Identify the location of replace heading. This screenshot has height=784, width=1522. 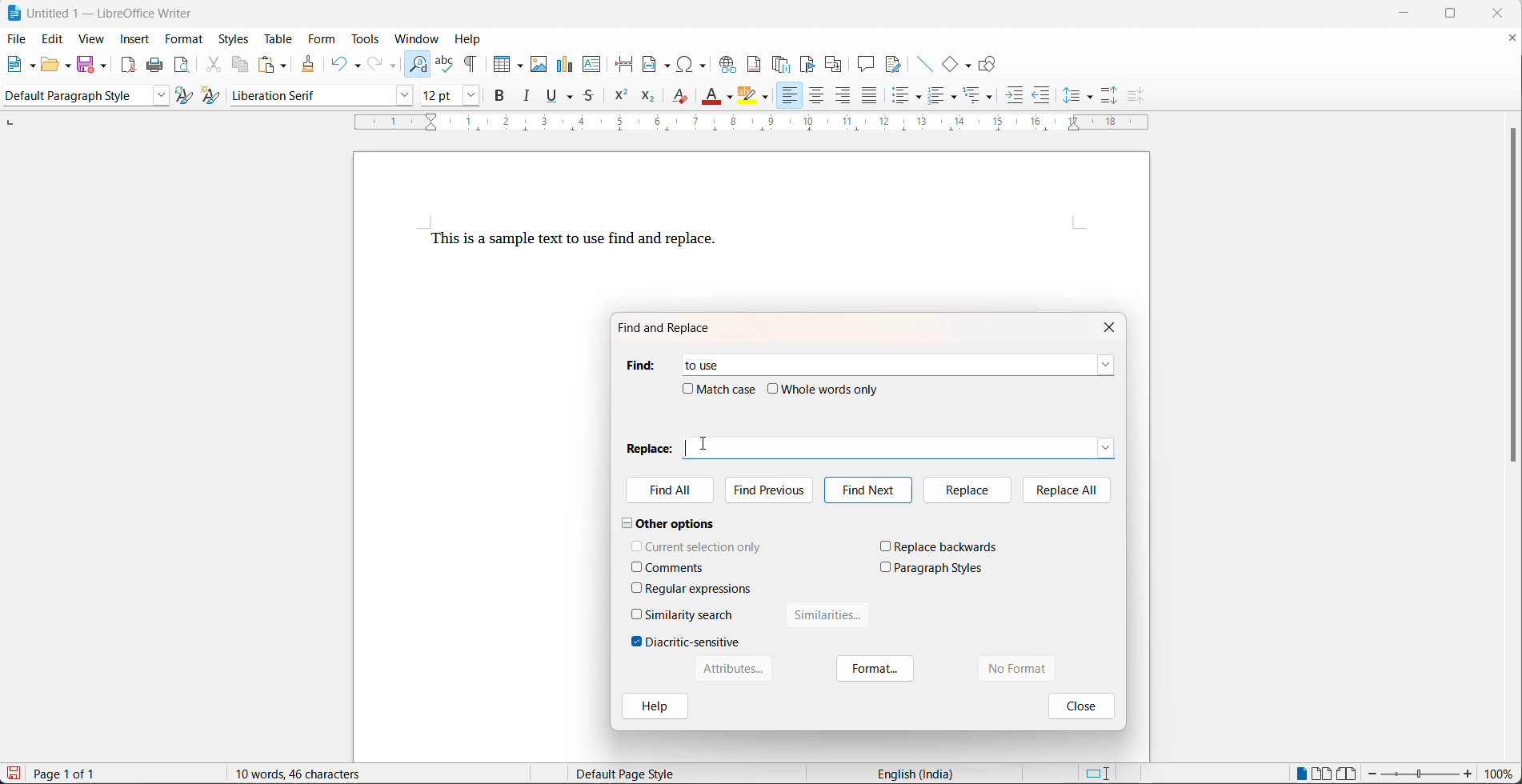
(649, 447).